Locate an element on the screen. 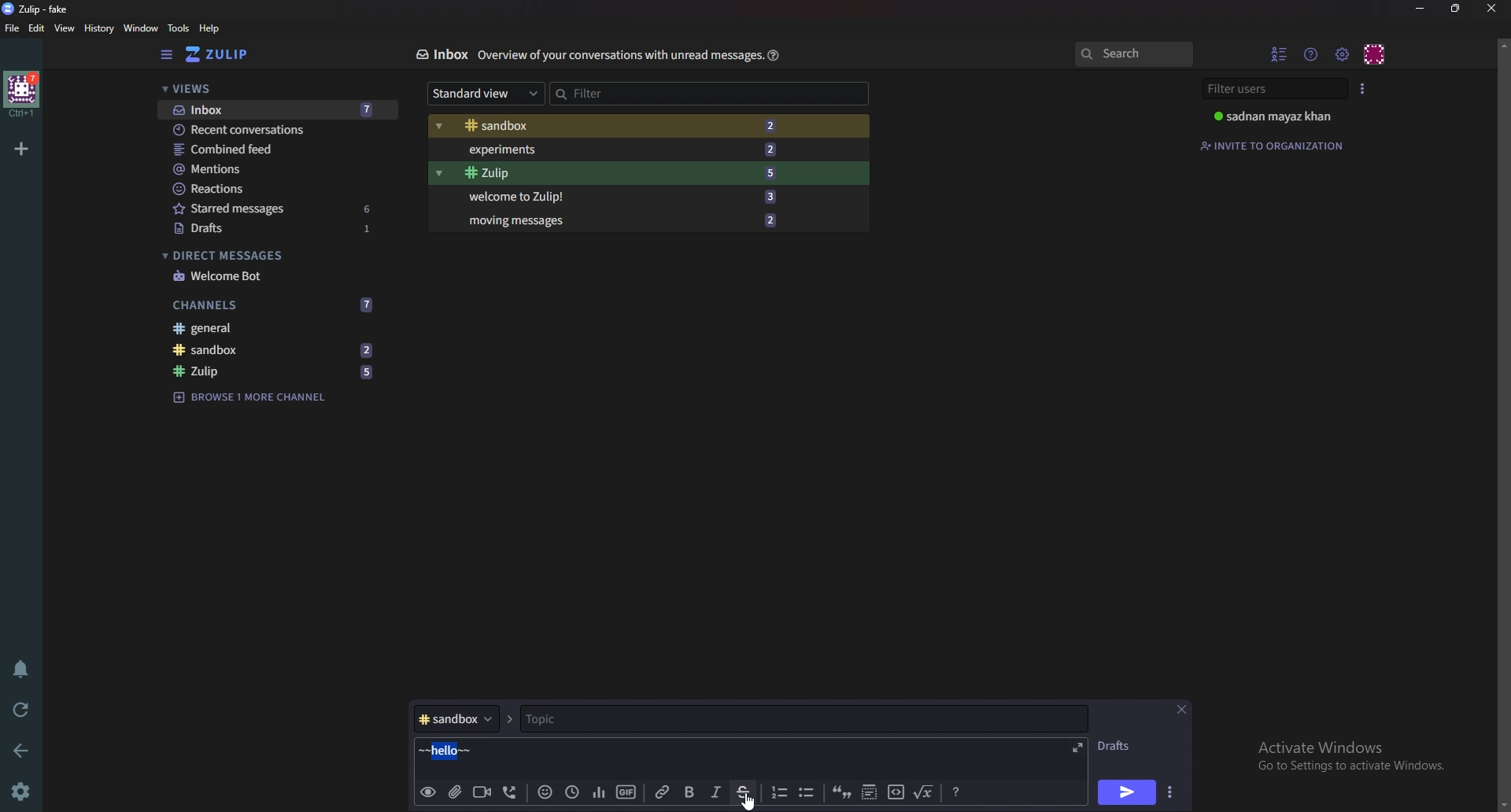 The width and height of the screenshot is (1511, 812). Reactions is located at coordinates (269, 187).